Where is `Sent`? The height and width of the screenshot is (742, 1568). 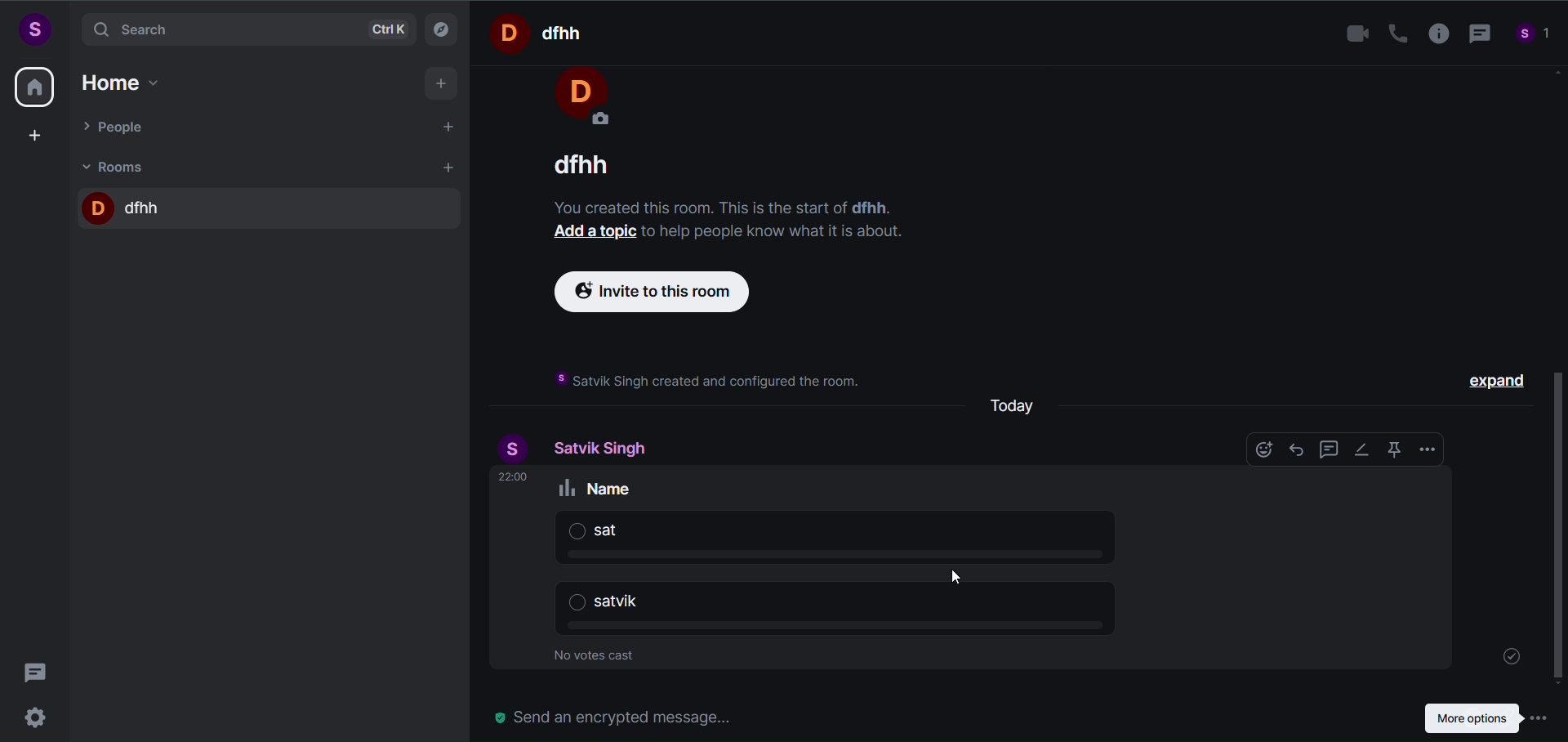 Sent is located at coordinates (1508, 652).